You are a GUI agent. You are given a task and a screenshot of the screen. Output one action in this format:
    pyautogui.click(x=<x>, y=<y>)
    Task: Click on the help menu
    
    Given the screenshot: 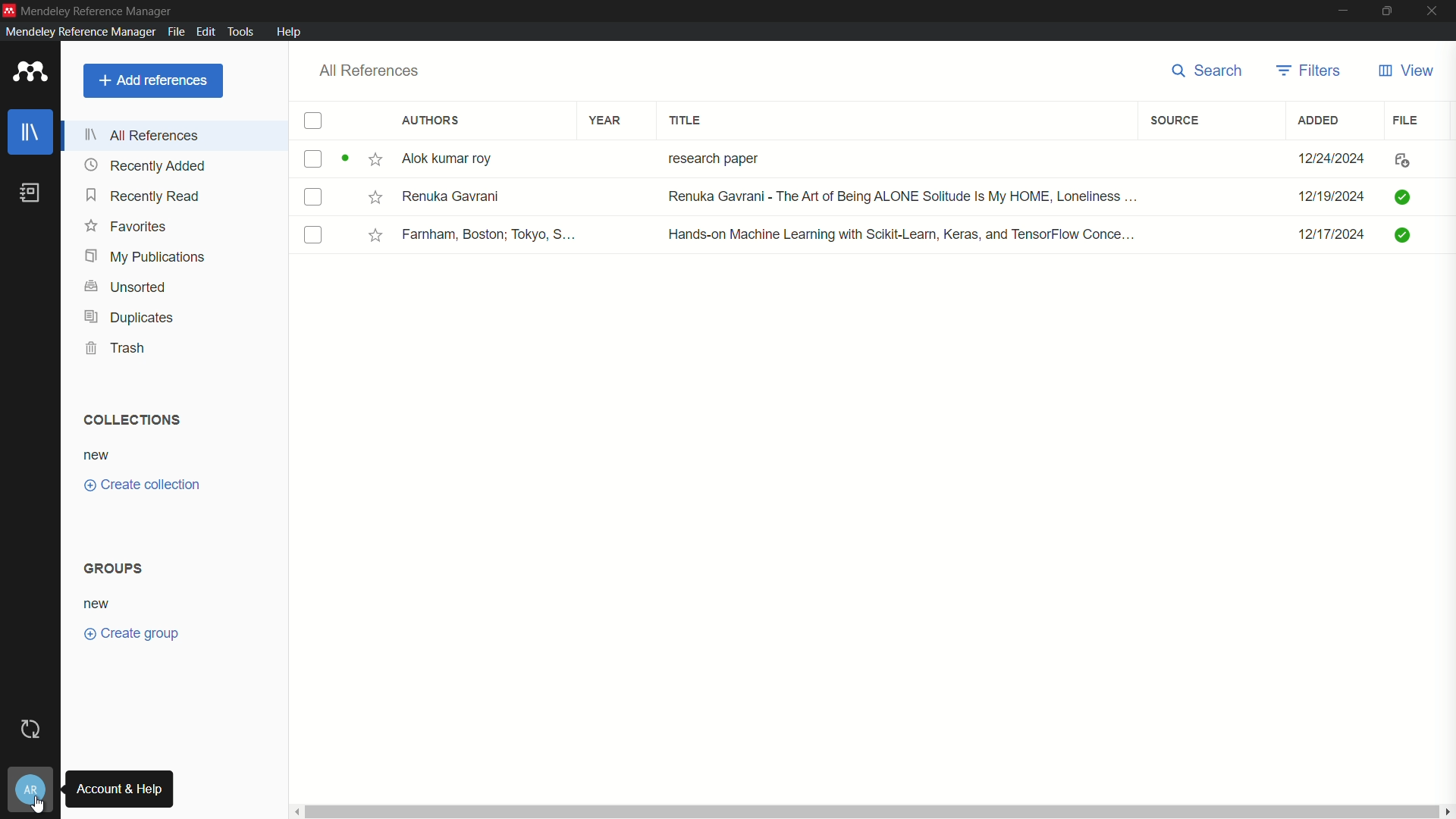 What is the action you would take?
    pyautogui.click(x=288, y=32)
    